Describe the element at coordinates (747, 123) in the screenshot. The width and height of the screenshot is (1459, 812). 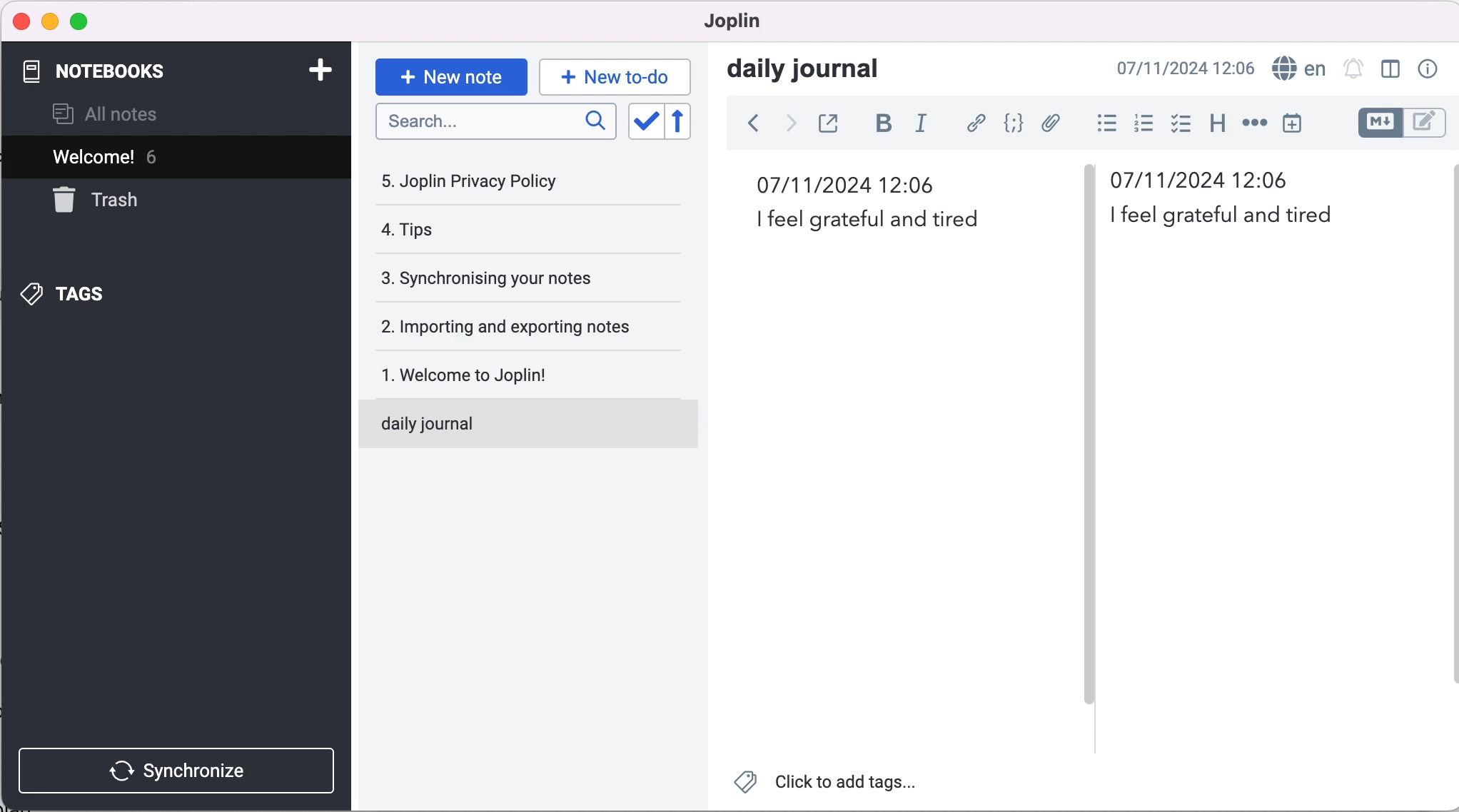
I see `back` at that location.